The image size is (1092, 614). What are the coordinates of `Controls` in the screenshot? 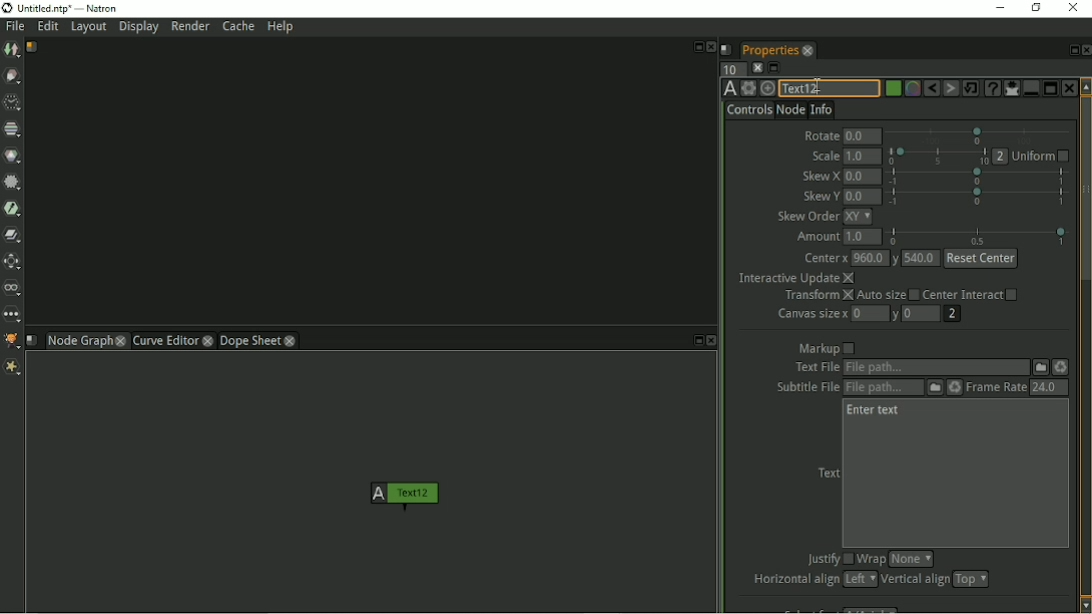 It's located at (749, 110).